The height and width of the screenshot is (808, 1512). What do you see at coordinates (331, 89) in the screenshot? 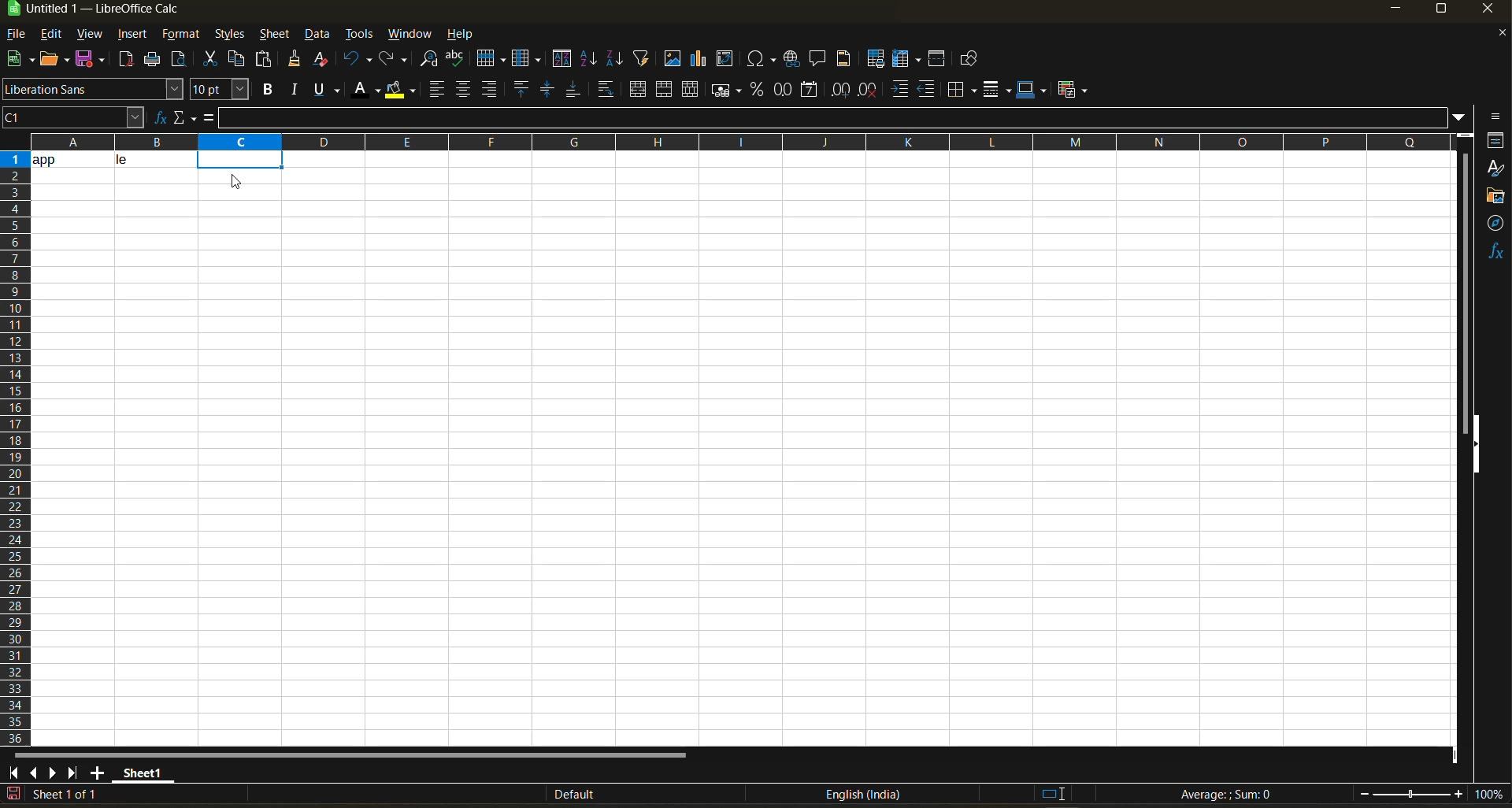
I see `underline` at bounding box center [331, 89].